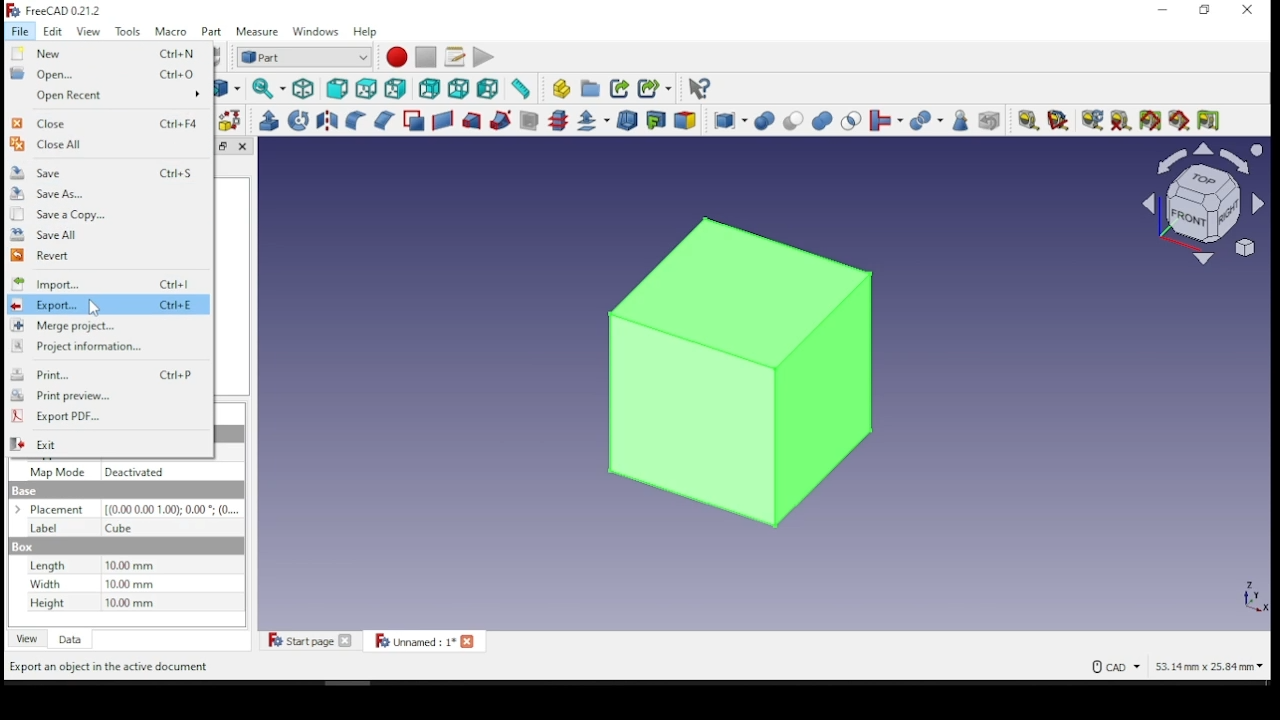  Describe the element at coordinates (104, 444) in the screenshot. I see `Exit` at that location.